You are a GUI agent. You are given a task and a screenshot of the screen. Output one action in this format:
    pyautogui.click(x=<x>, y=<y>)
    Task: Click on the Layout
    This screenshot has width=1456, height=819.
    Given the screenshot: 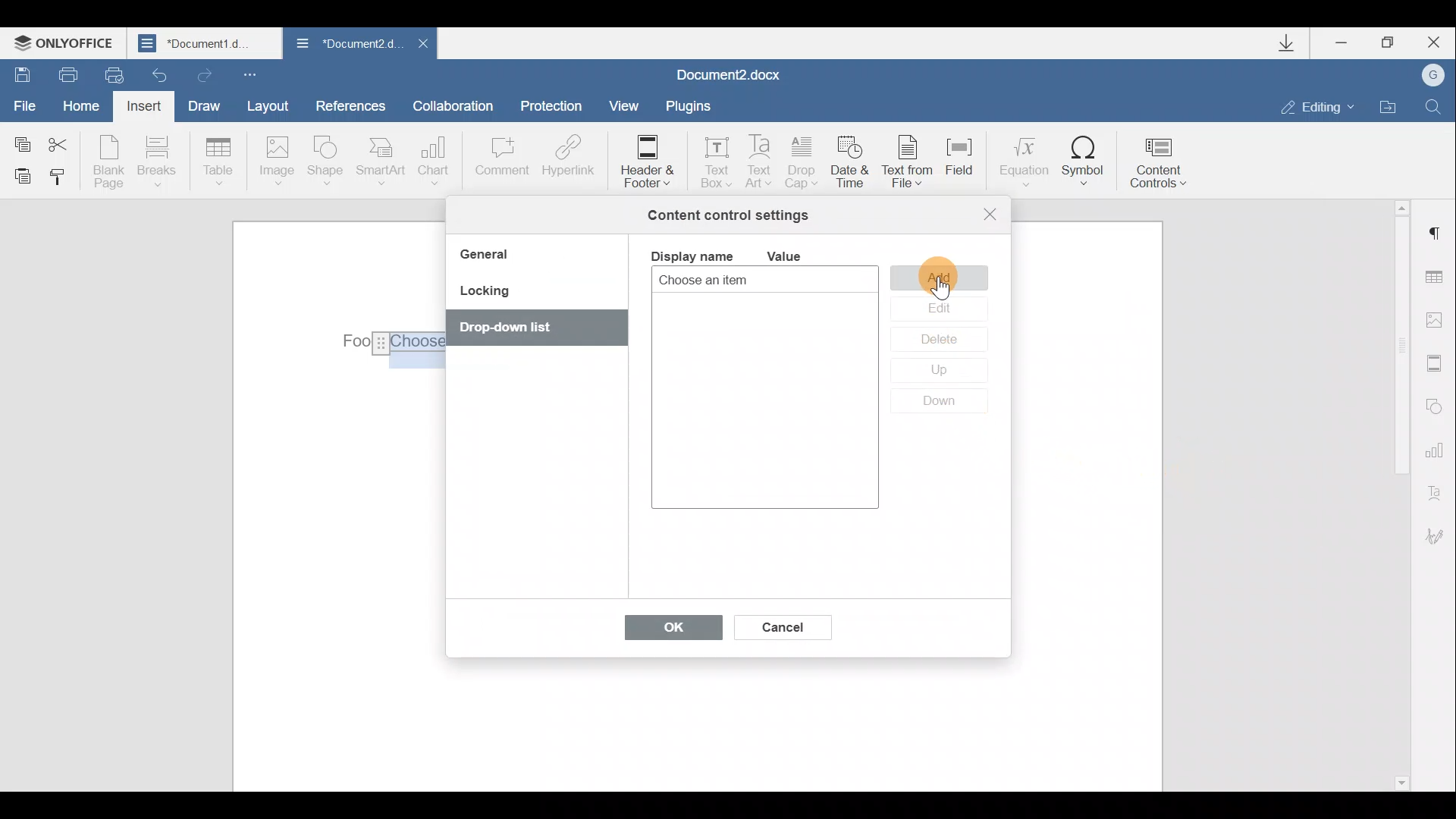 What is the action you would take?
    pyautogui.click(x=267, y=105)
    